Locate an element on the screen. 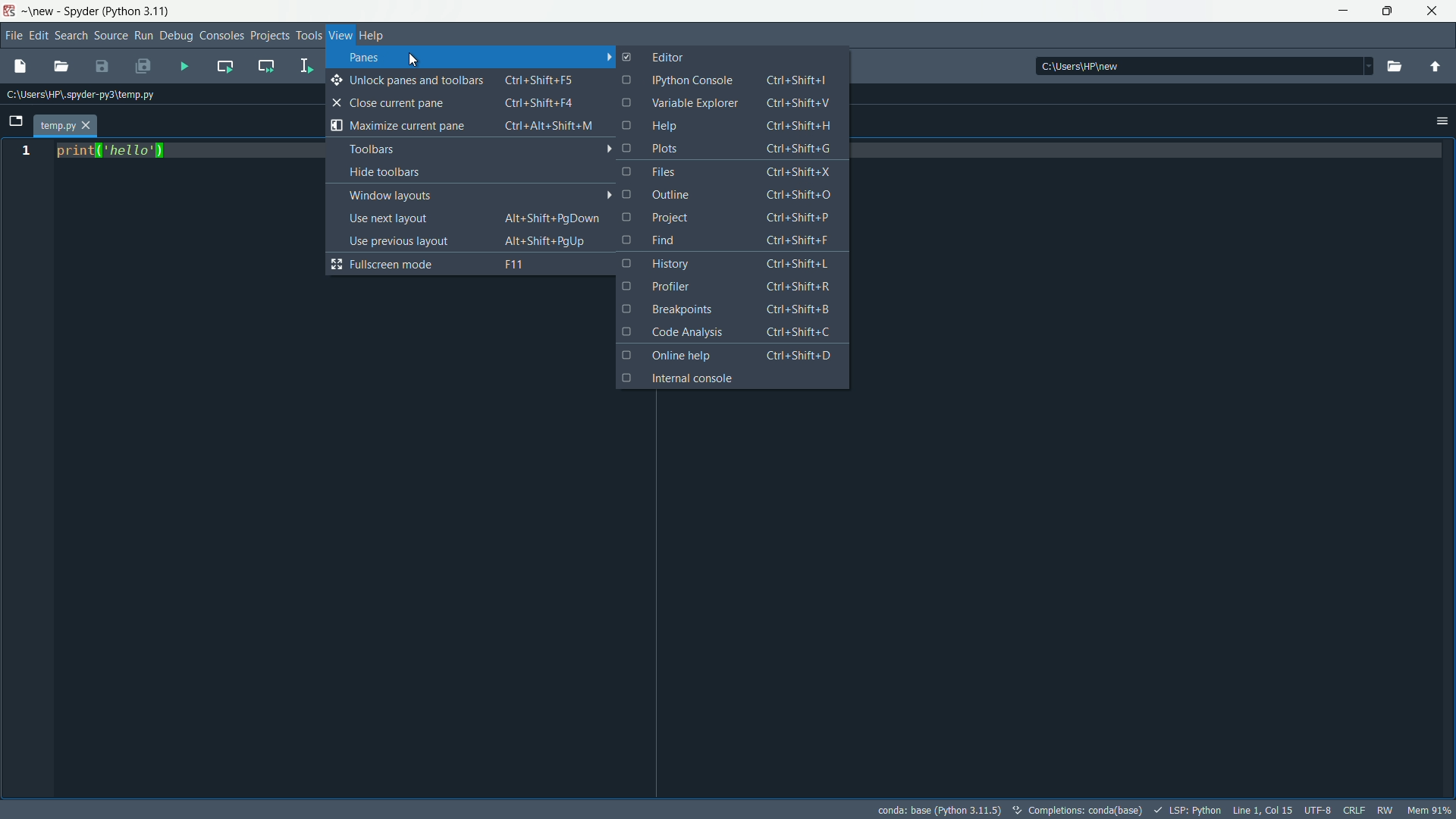 This screenshot has height=819, width=1456. cursor is located at coordinates (415, 59).